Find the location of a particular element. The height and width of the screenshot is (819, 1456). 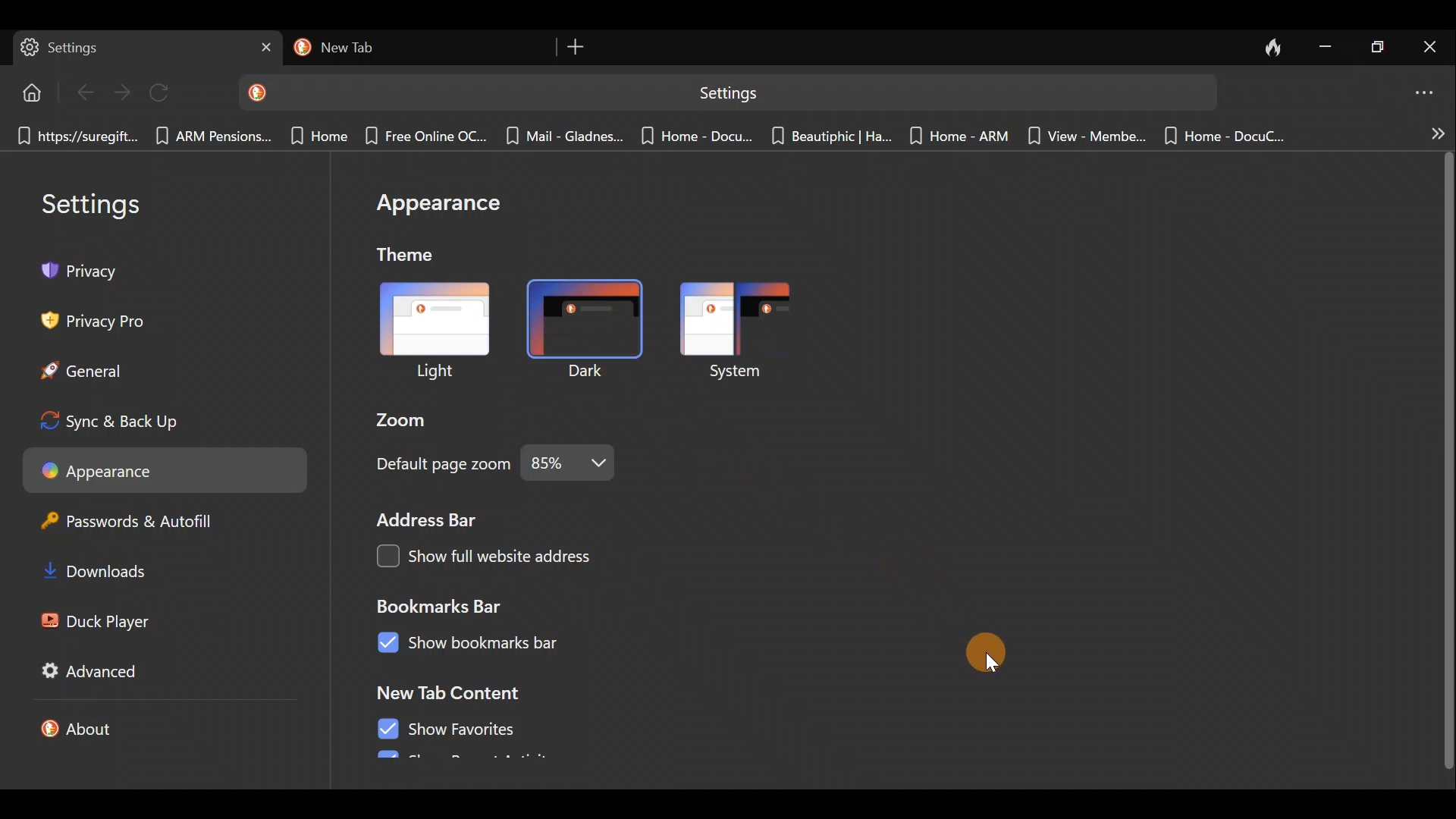

 is located at coordinates (29, 91).